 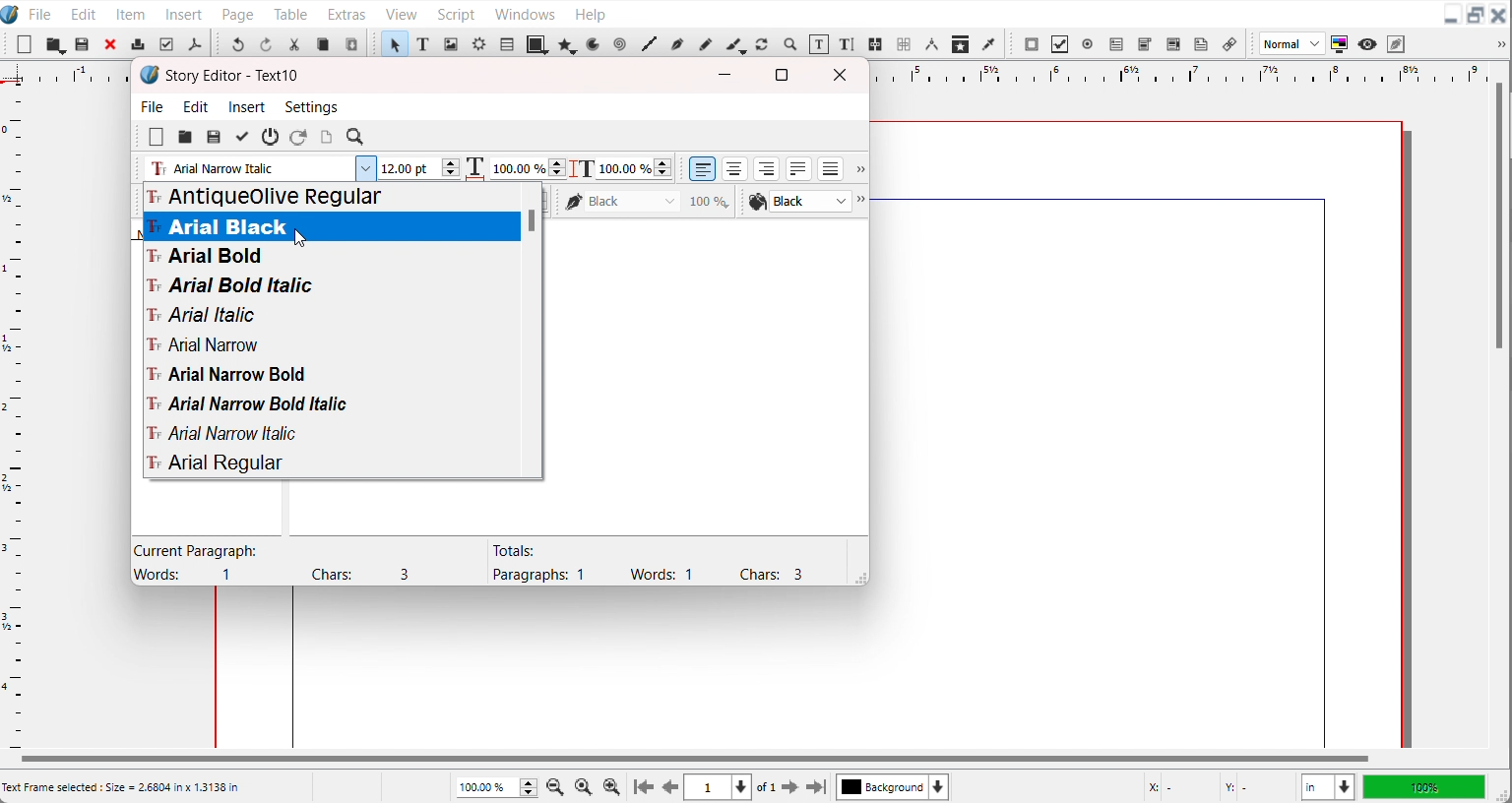 I want to click on Text Color, so click(x=798, y=202).